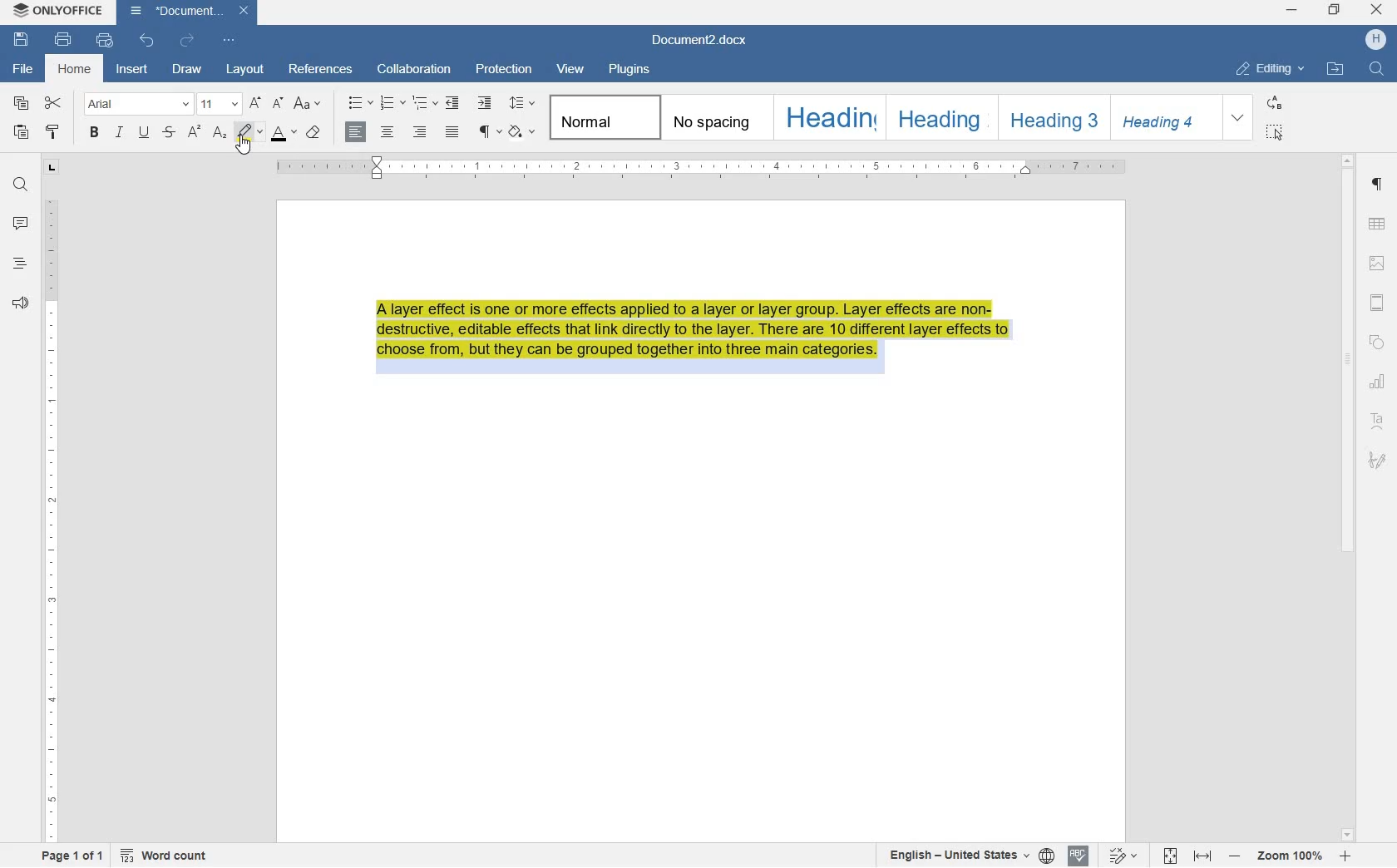 This screenshot has height=868, width=1397. What do you see at coordinates (1271, 68) in the screenshot?
I see `editing` at bounding box center [1271, 68].